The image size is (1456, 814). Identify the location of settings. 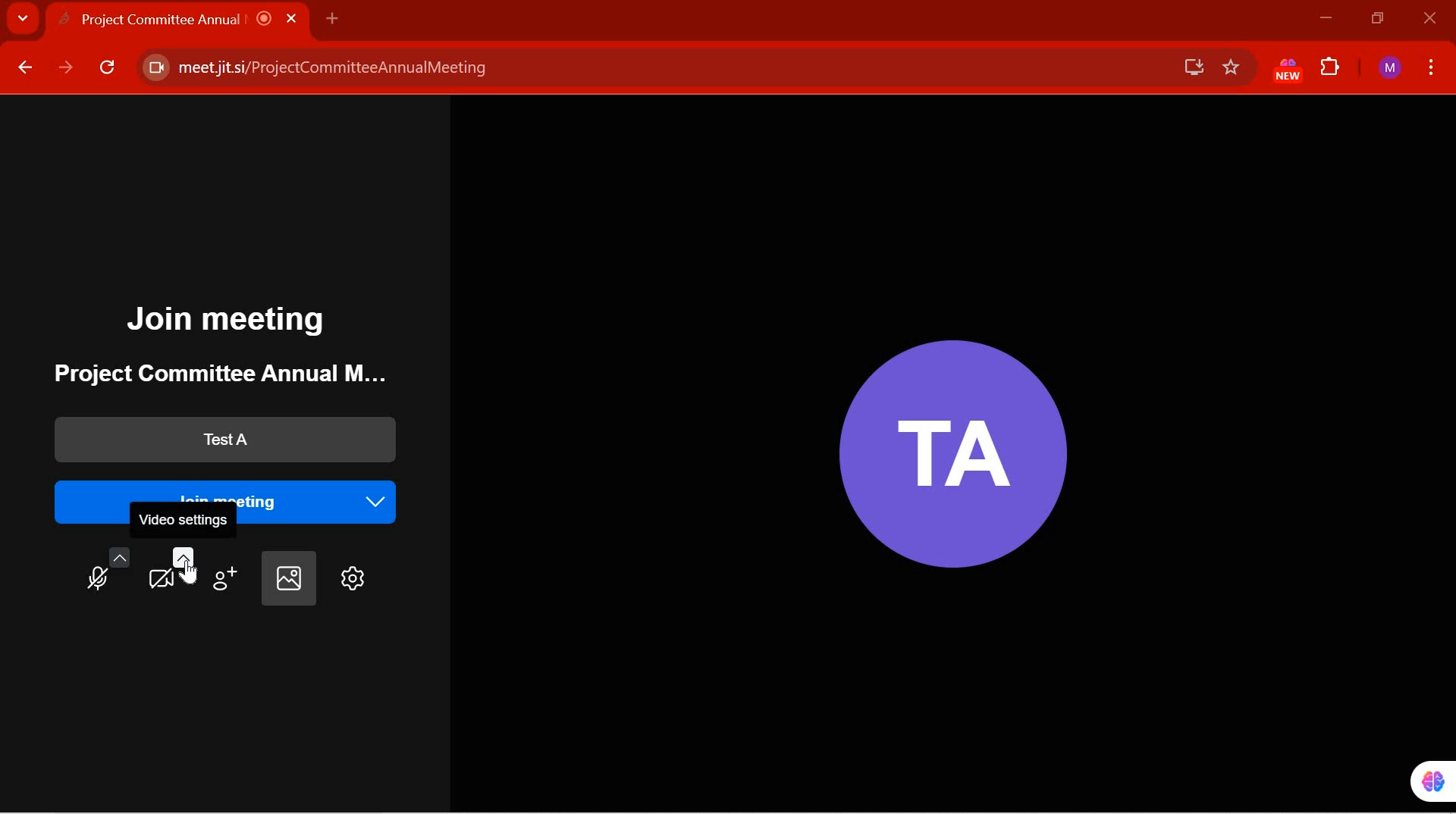
(350, 579).